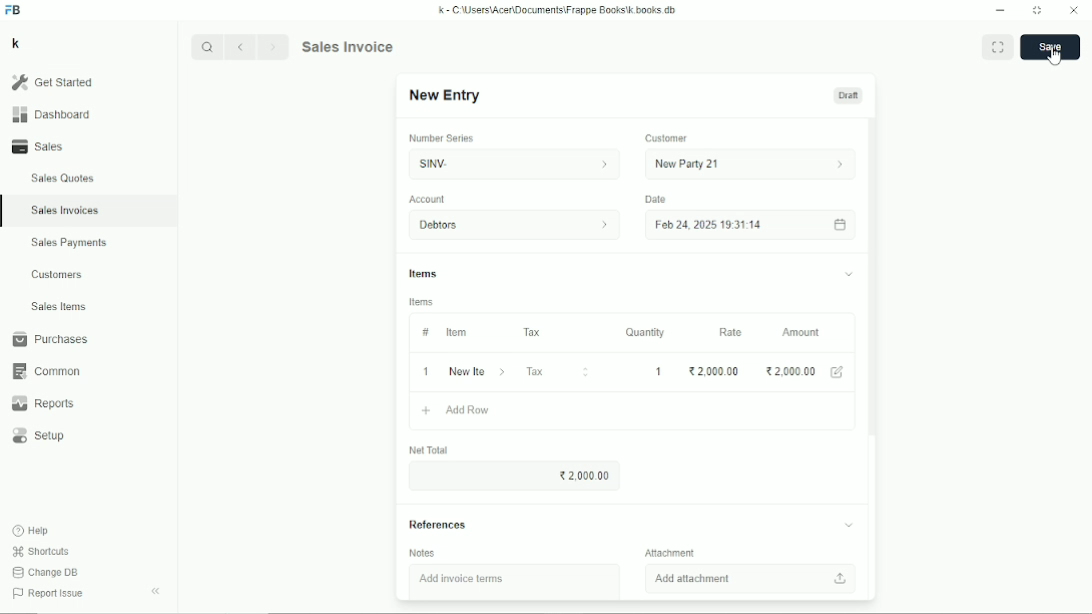 This screenshot has height=614, width=1092. I want to click on #, so click(424, 332).